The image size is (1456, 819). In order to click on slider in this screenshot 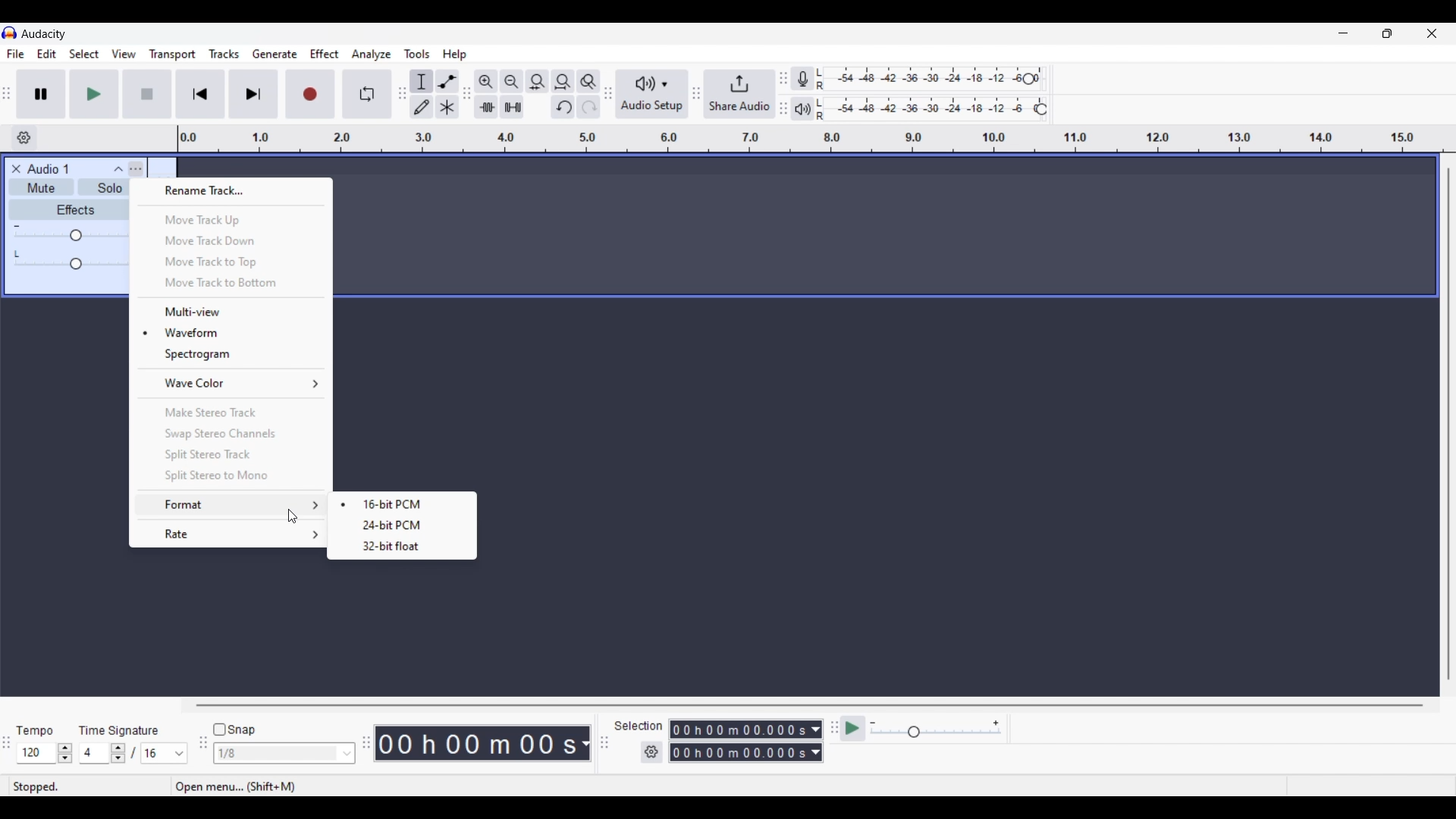, I will do `click(74, 265)`.